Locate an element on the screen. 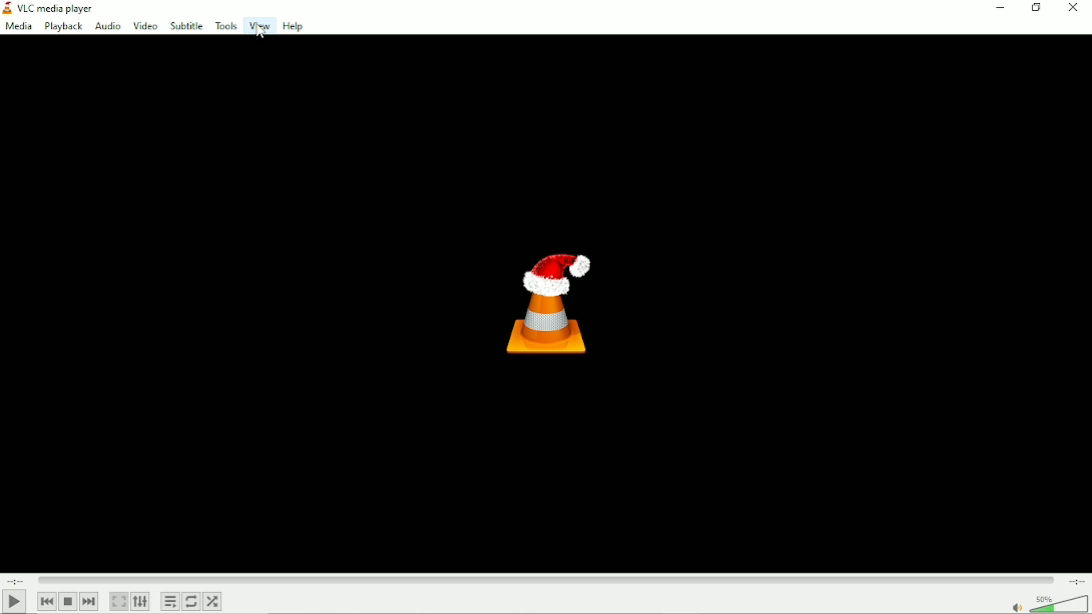  Elapsed time is located at coordinates (16, 580).